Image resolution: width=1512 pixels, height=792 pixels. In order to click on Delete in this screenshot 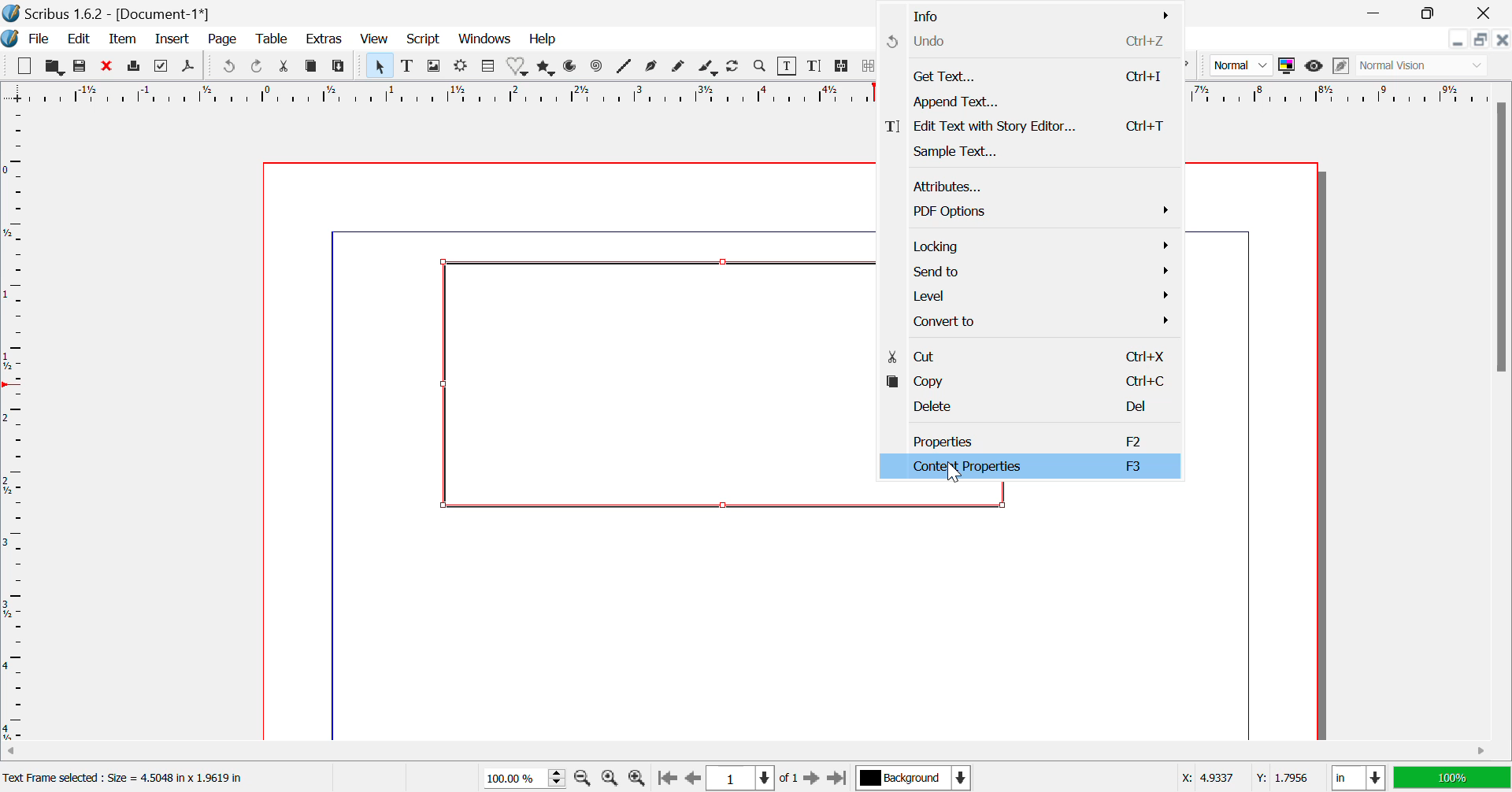, I will do `click(1032, 407)`.